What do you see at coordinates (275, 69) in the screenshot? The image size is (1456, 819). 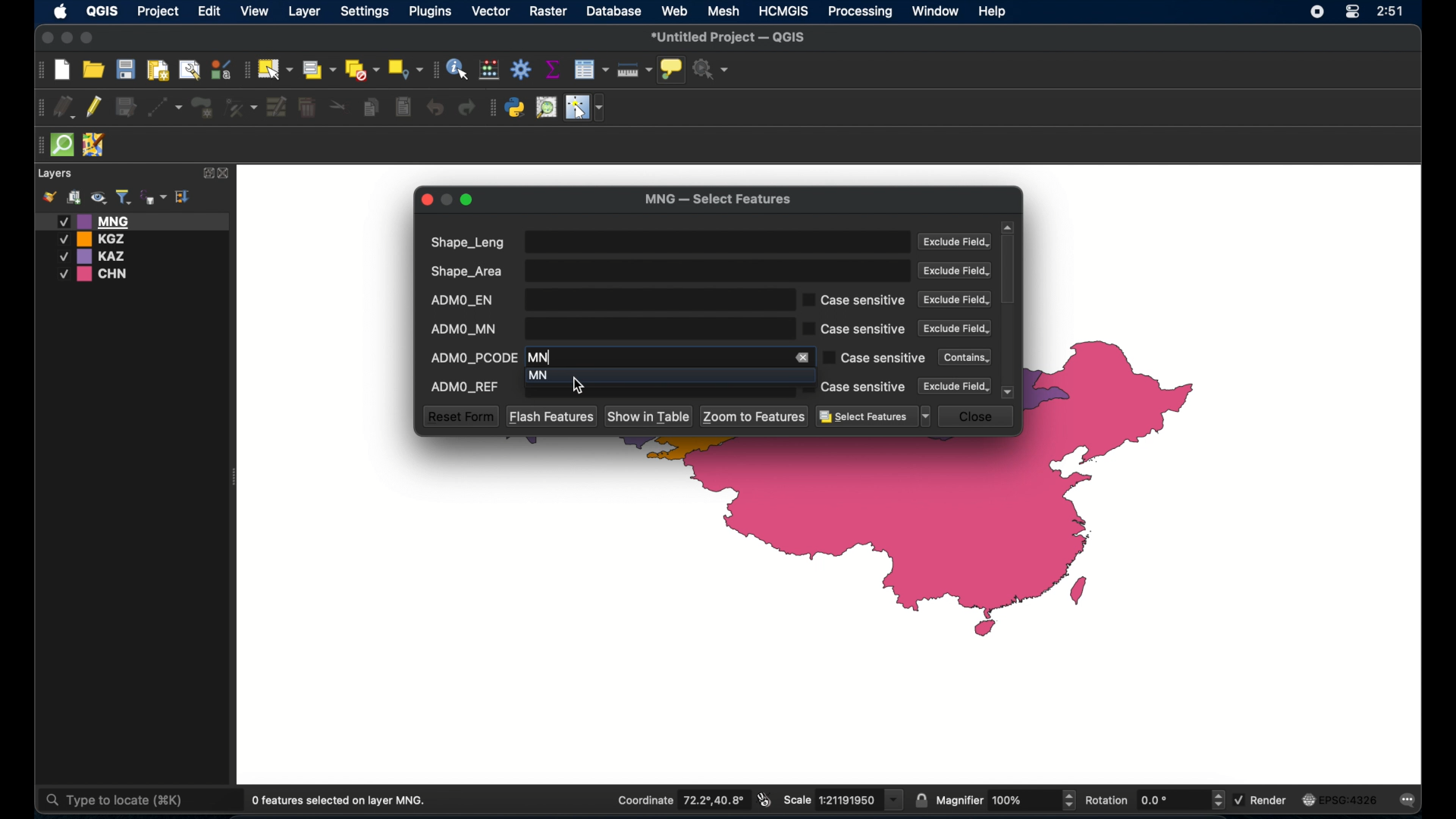 I see `select features` at bounding box center [275, 69].